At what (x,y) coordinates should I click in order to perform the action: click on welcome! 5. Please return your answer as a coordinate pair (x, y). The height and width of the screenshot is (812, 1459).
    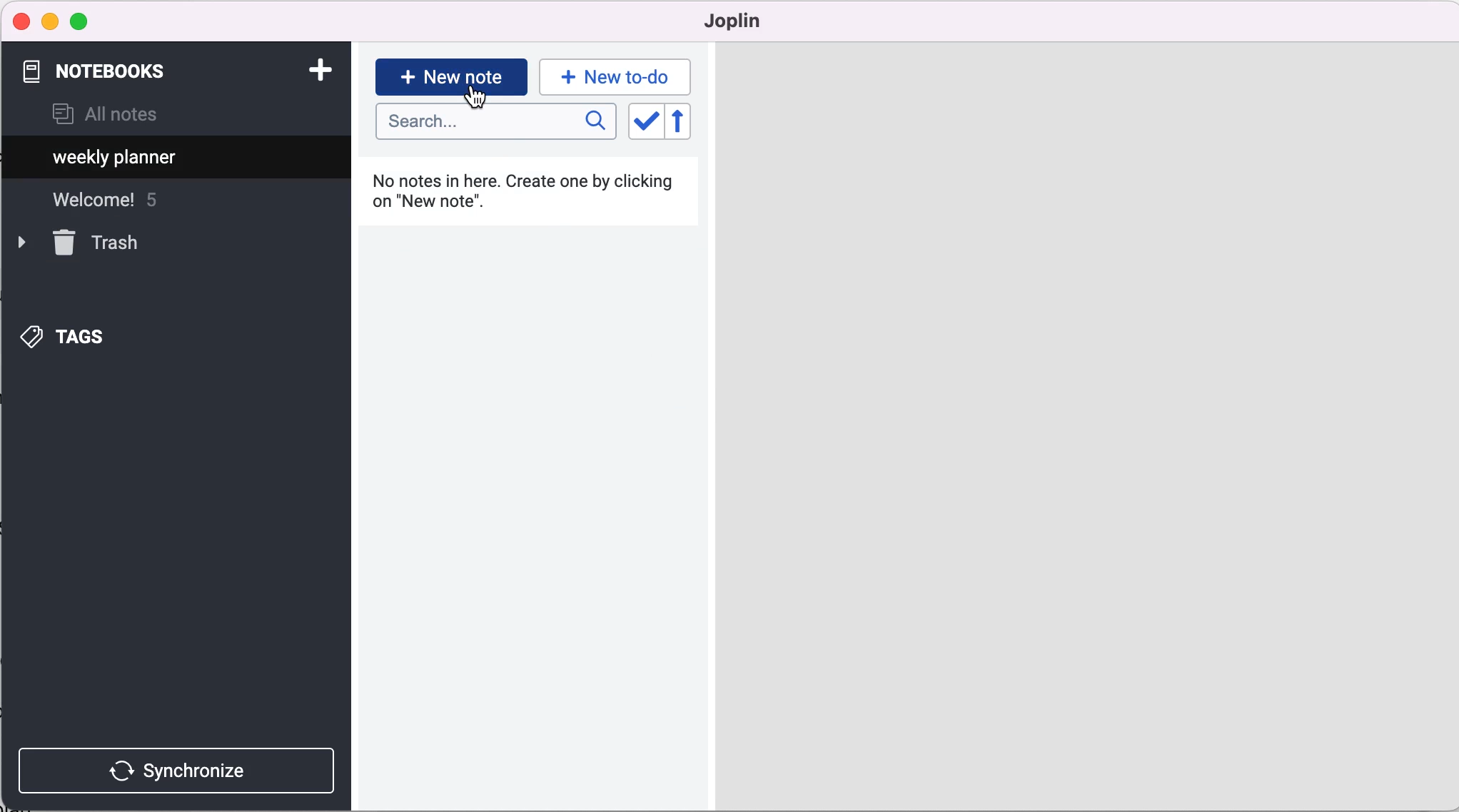
    Looking at the image, I should click on (123, 200).